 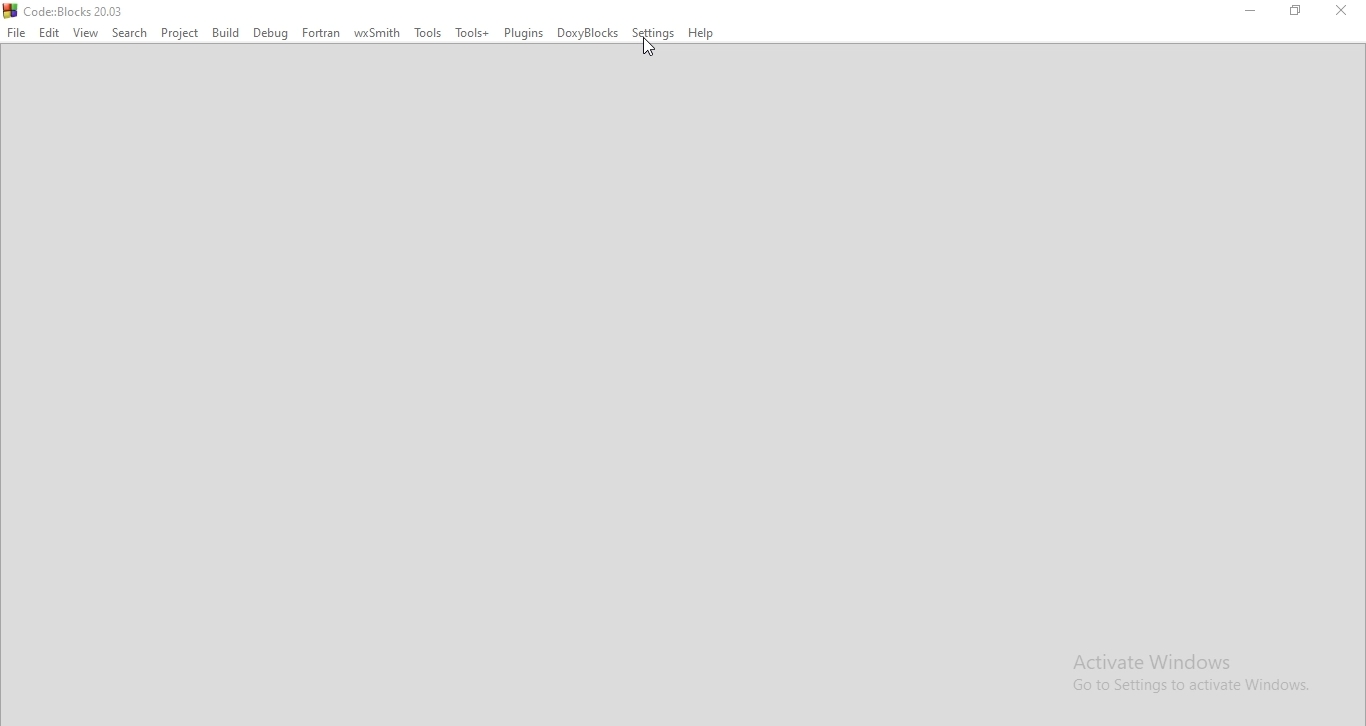 What do you see at coordinates (225, 32) in the screenshot?
I see `Bulid` at bounding box center [225, 32].